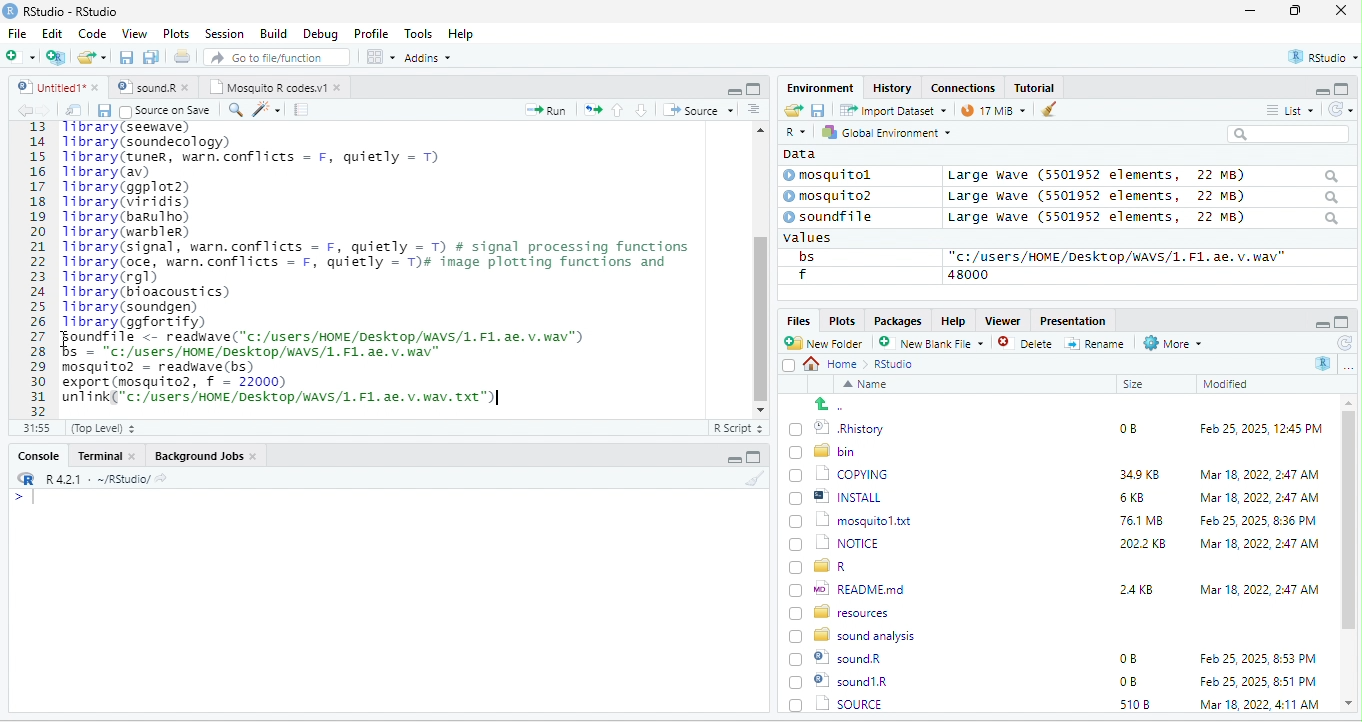 This screenshot has height=722, width=1362. Describe the element at coordinates (1259, 659) in the screenshot. I see `Feb 25, 2025, 8:51 PM` at that location.